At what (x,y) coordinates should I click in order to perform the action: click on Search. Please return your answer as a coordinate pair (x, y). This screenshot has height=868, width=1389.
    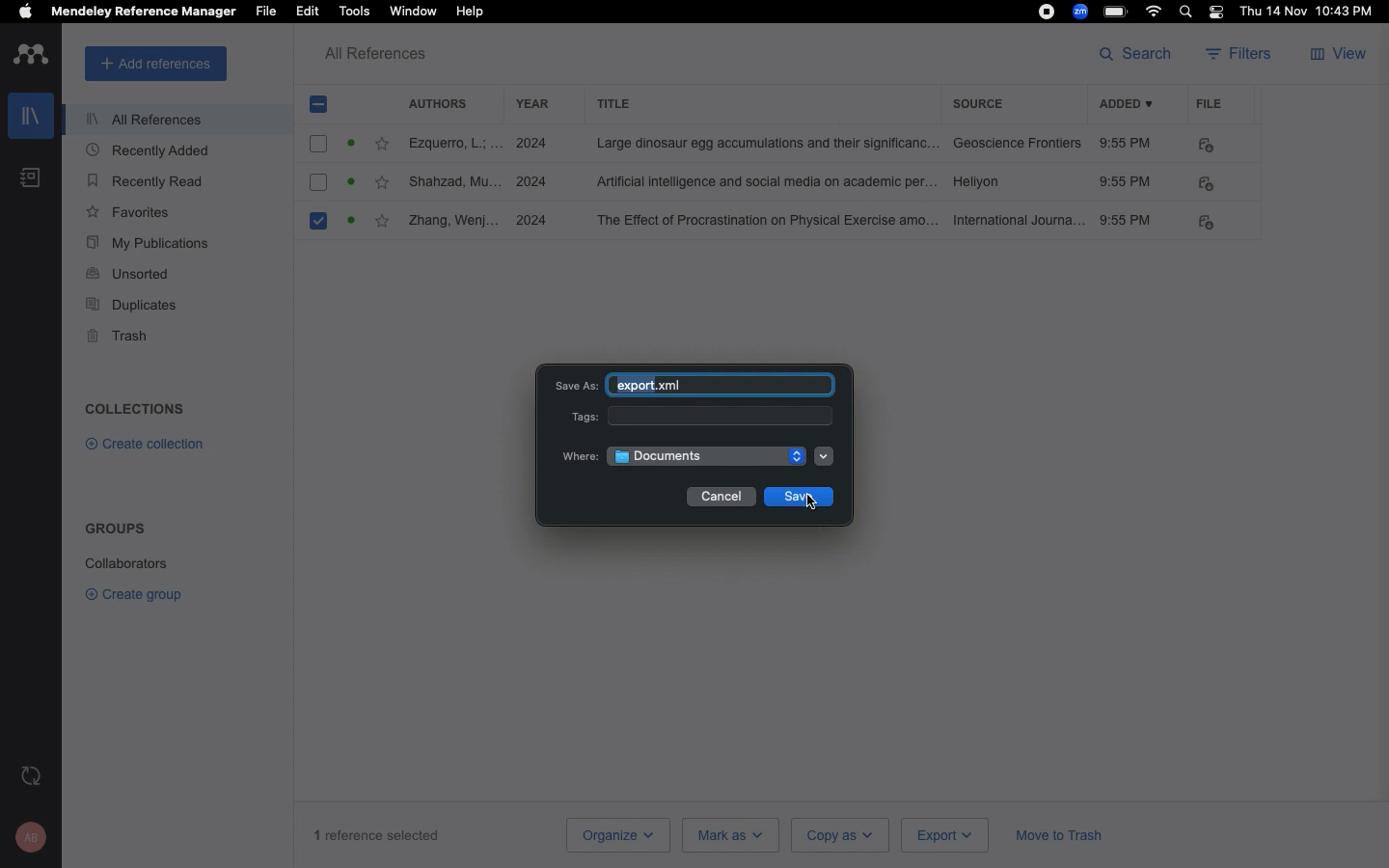
    Looking at the image, I should click on (1139, 53).